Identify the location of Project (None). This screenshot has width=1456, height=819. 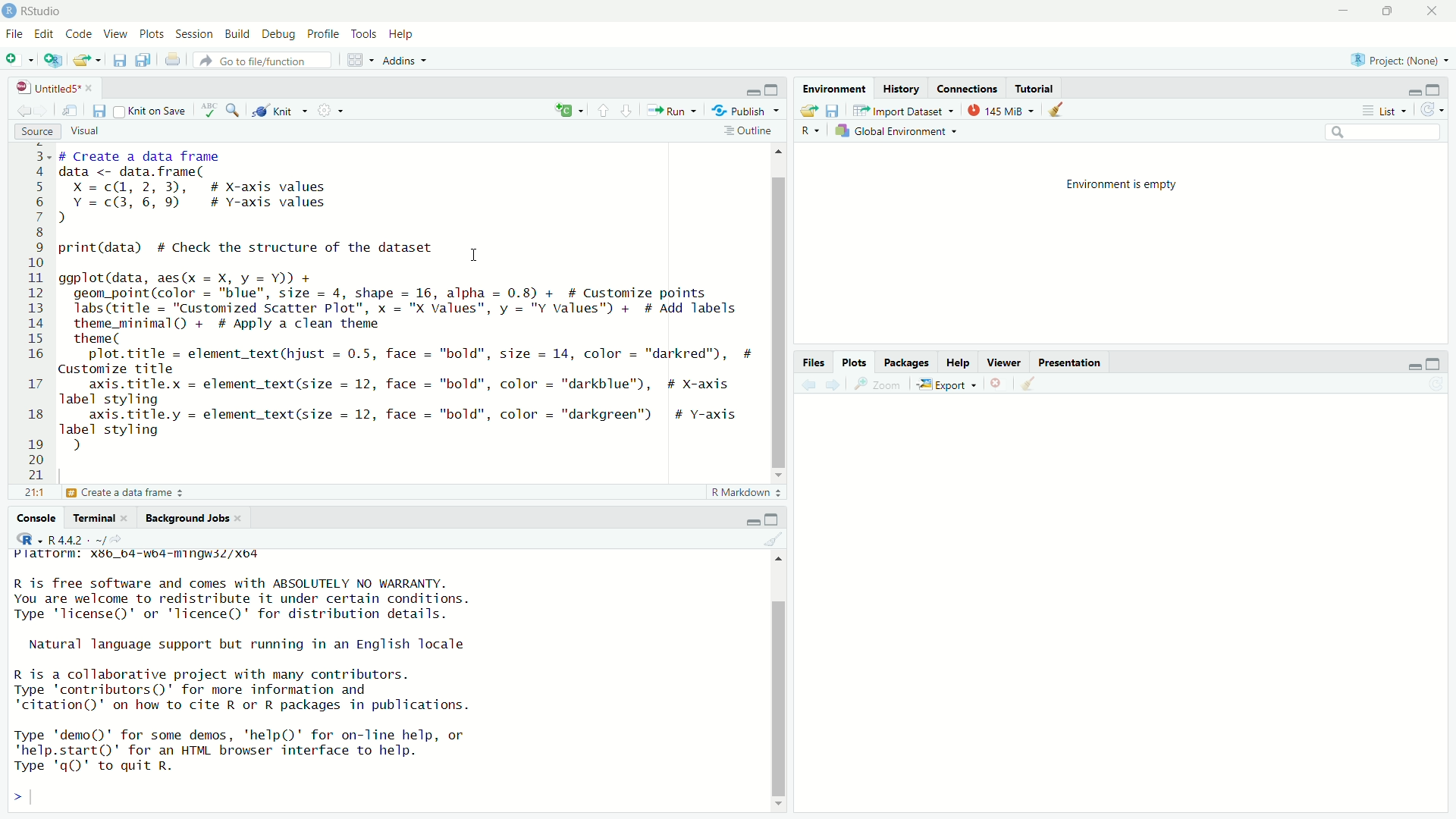
(1398, 61).